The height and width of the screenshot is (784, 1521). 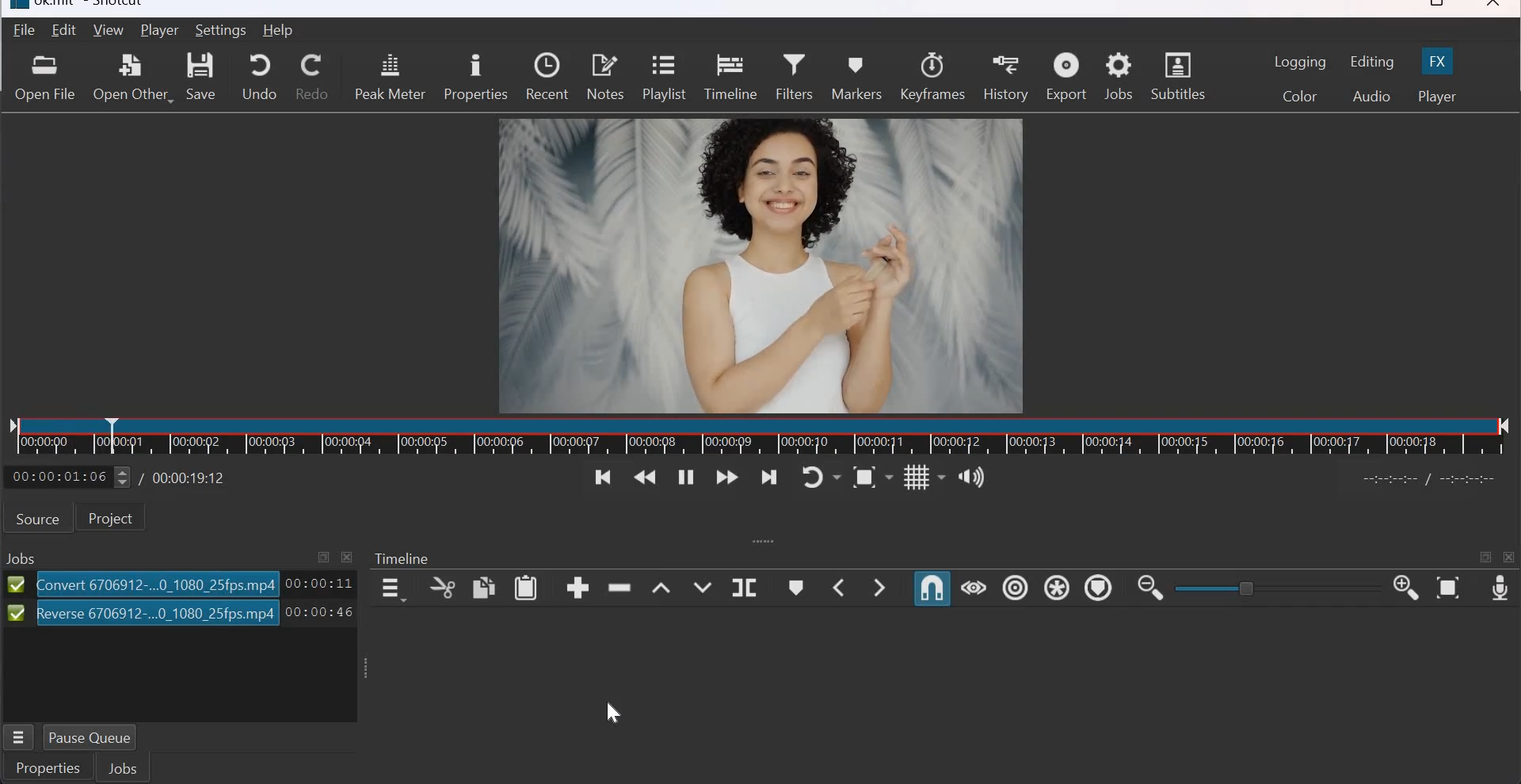 What do you see at coordinates (840, 587) in the screenshot?
I see `Previous Marker` at bounding box center [840, 587].